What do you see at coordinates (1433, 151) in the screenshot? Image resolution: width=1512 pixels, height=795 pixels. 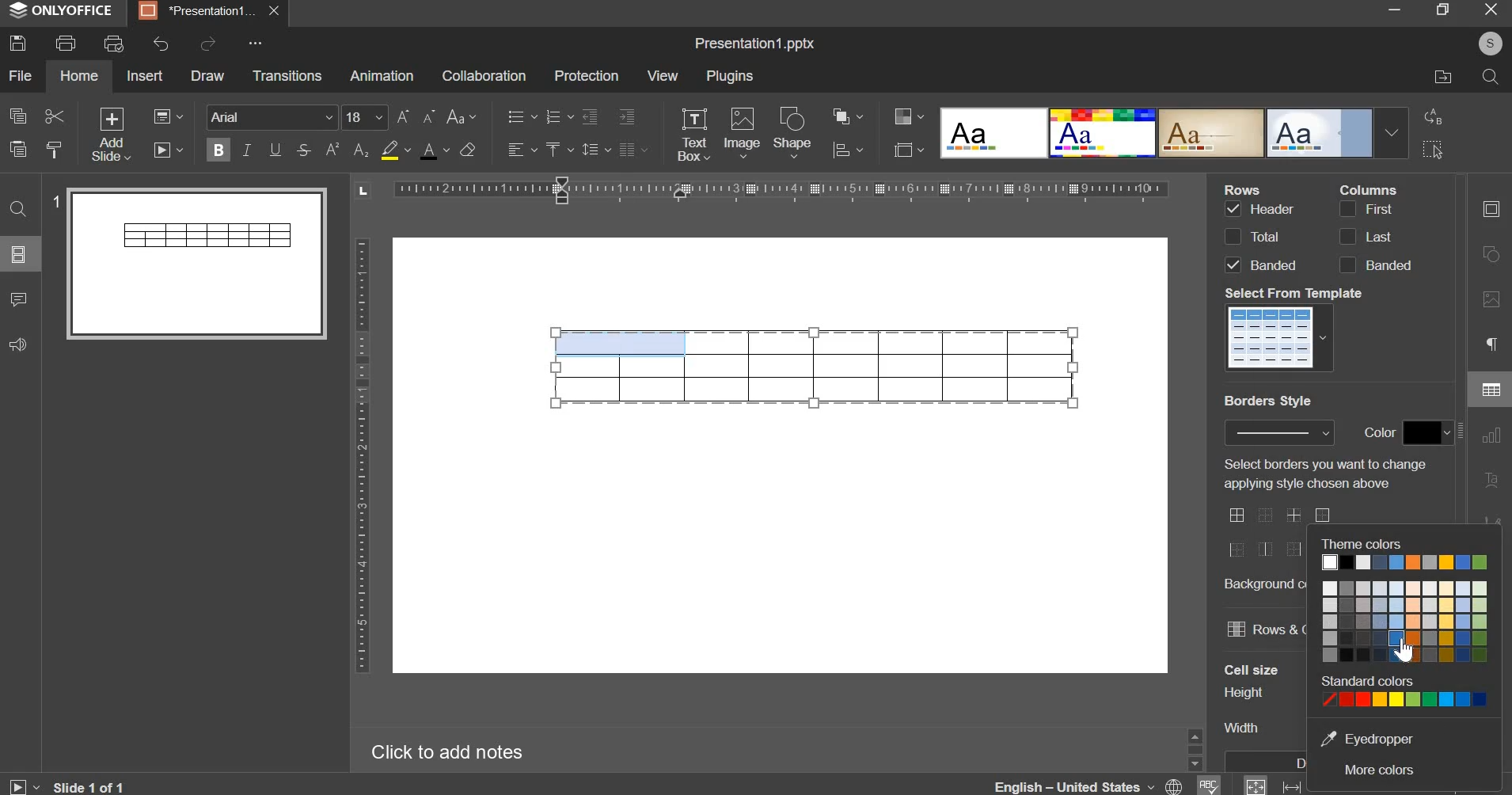 I see `select` at bounding box center [1433, 151].